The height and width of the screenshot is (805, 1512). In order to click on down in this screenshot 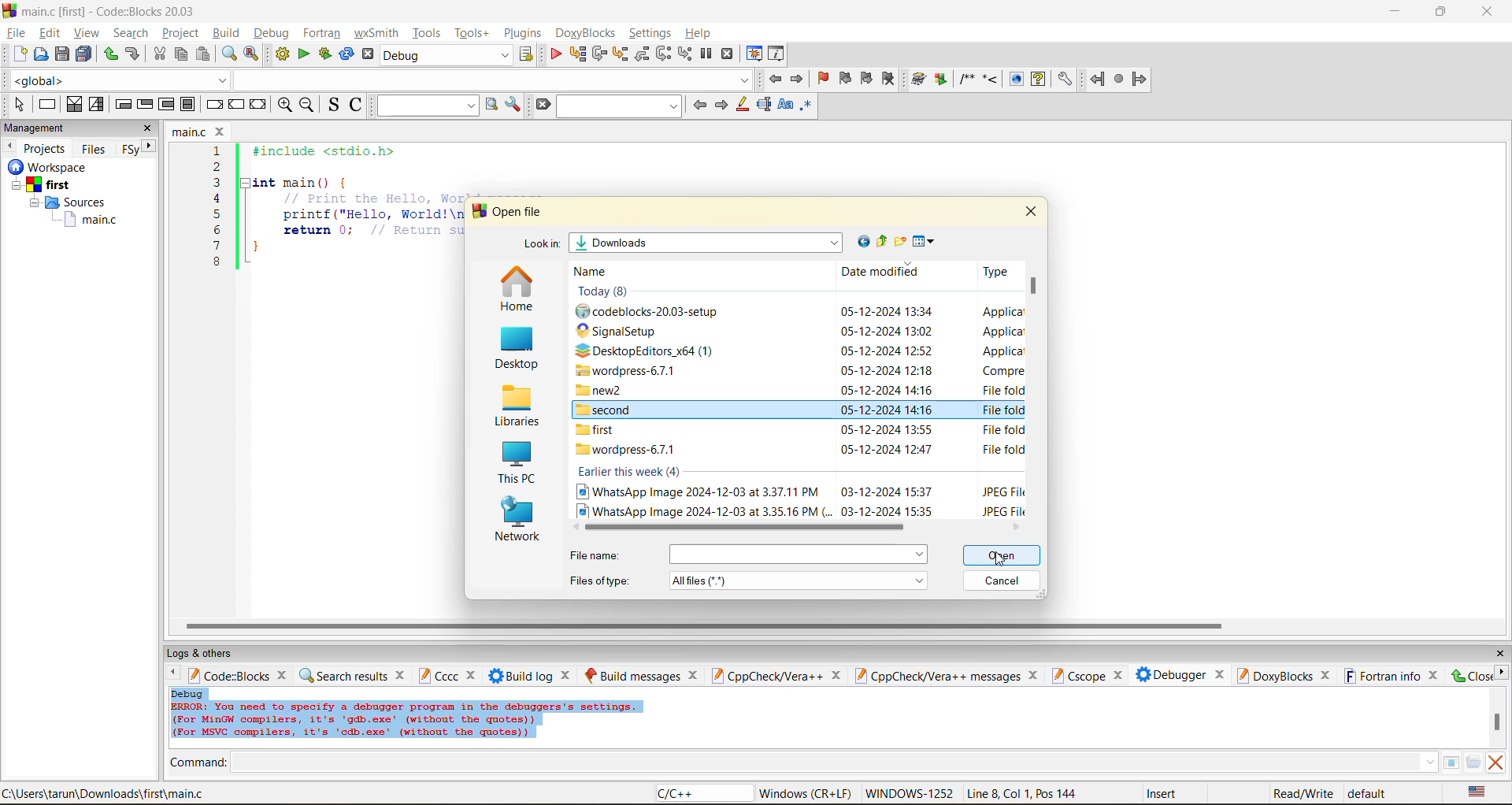, I will do `click(1429, 762)`.